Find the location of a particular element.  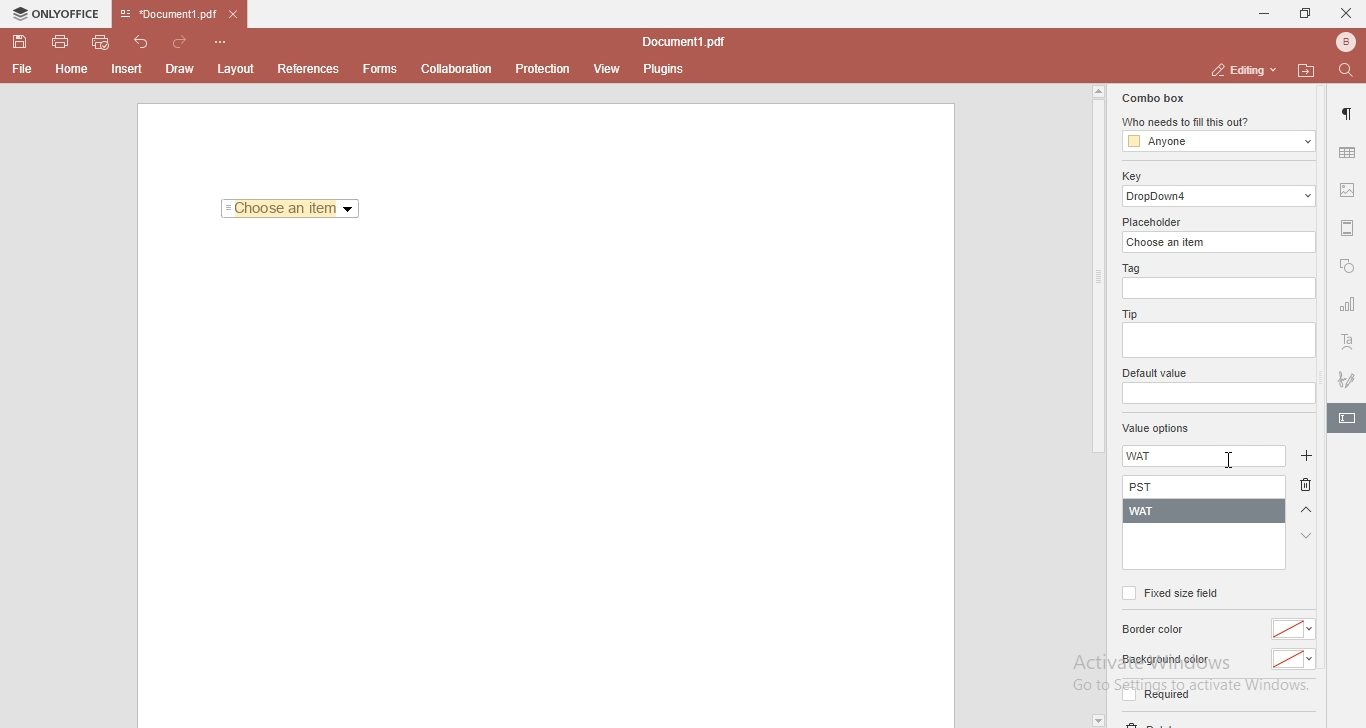

Draw is located at coordinates (184, 68).